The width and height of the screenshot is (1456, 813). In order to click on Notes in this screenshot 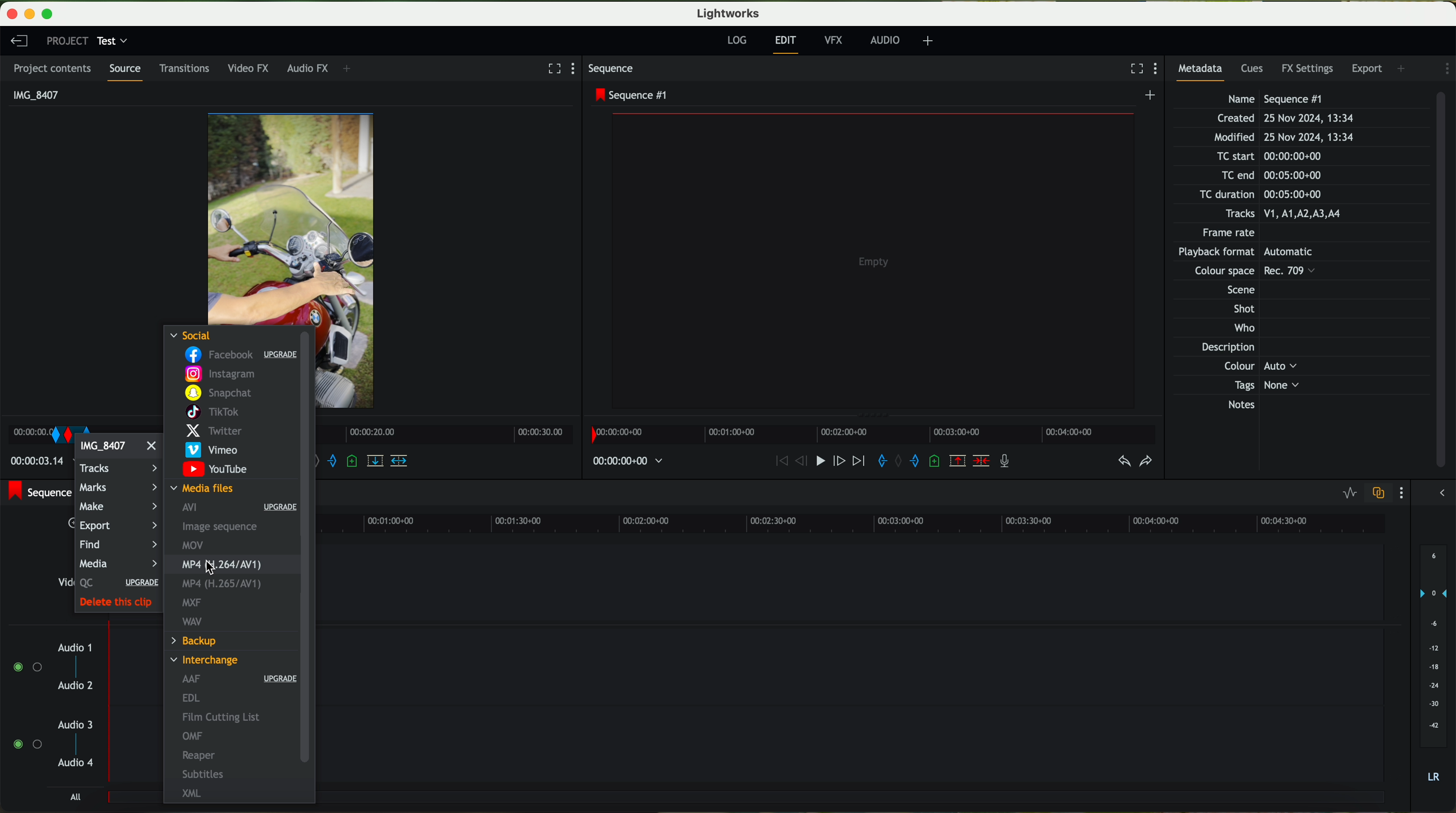, I will do `click(1255, 405)`.